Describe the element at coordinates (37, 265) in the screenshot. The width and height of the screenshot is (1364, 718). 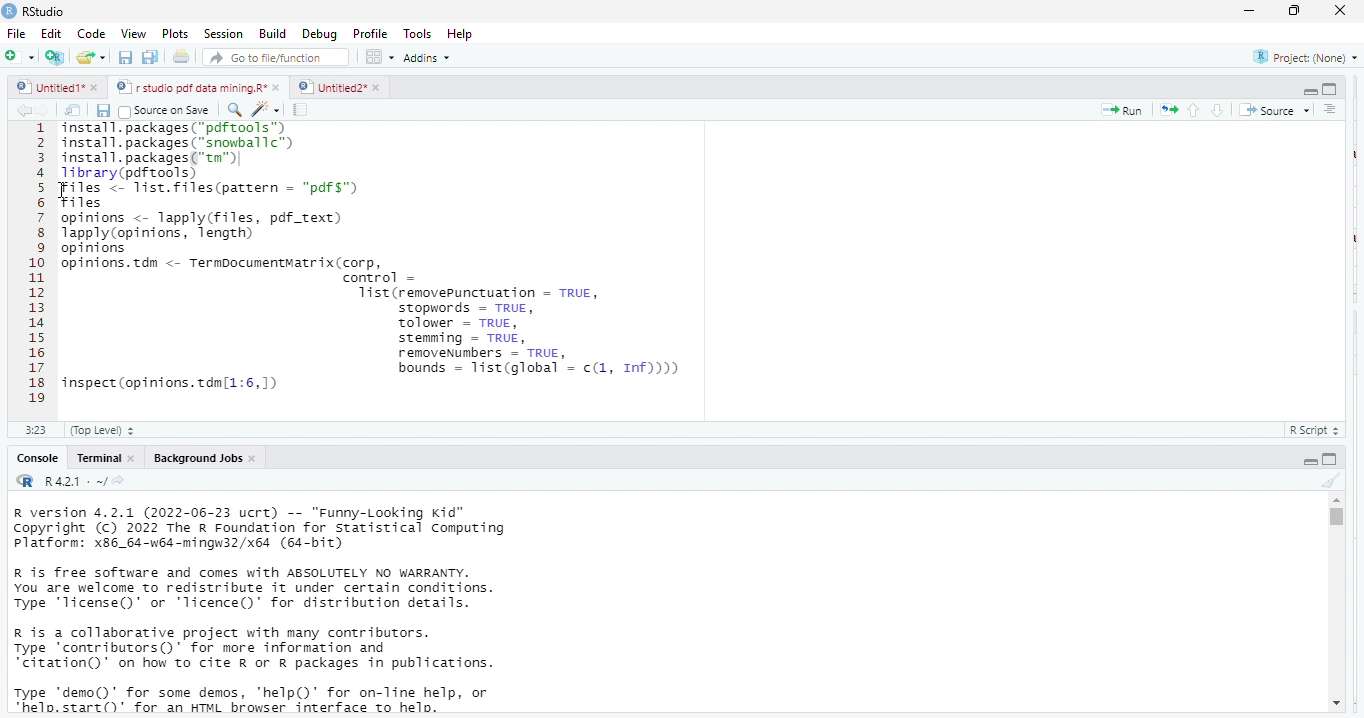
I see `123a5E78910111213141516171819` at that location.